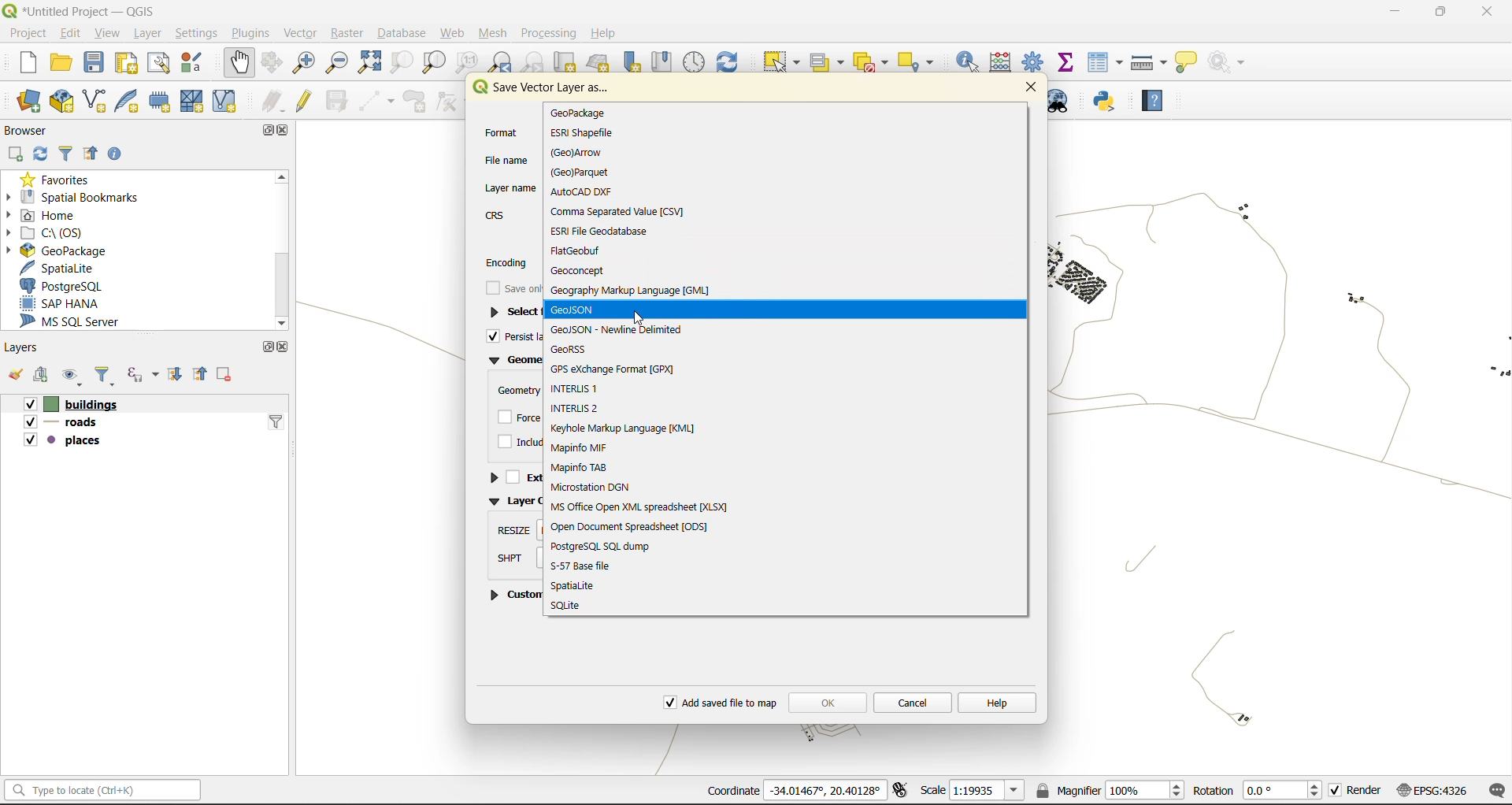 The width and height of the screenshot is (1512, 805). Describe the element at coordinates (1064, 102) in the screenshot. I see `metasearch` at that location.